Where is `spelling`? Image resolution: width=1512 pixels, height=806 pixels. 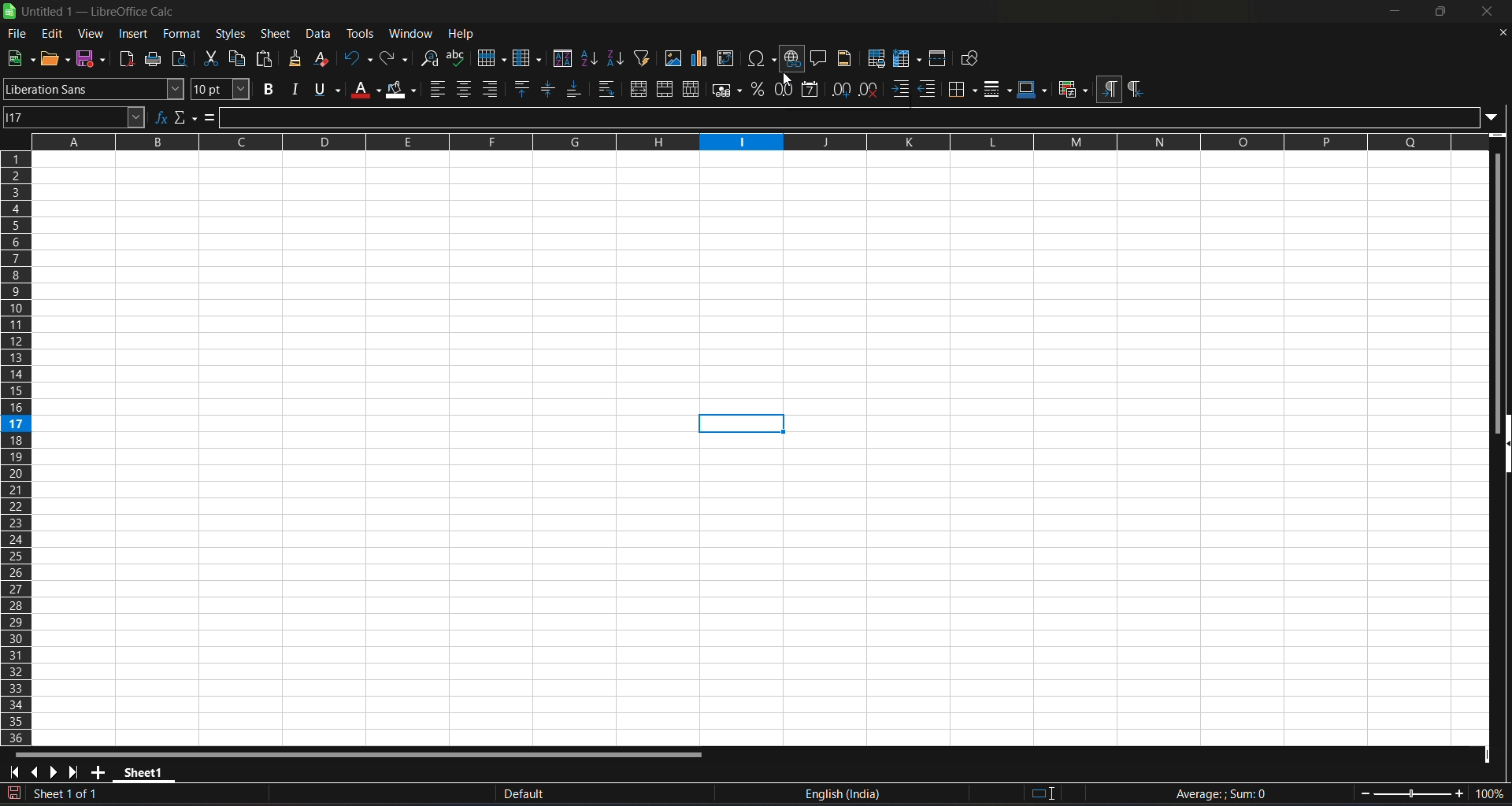
spelling is located at coordinates (458, 58).